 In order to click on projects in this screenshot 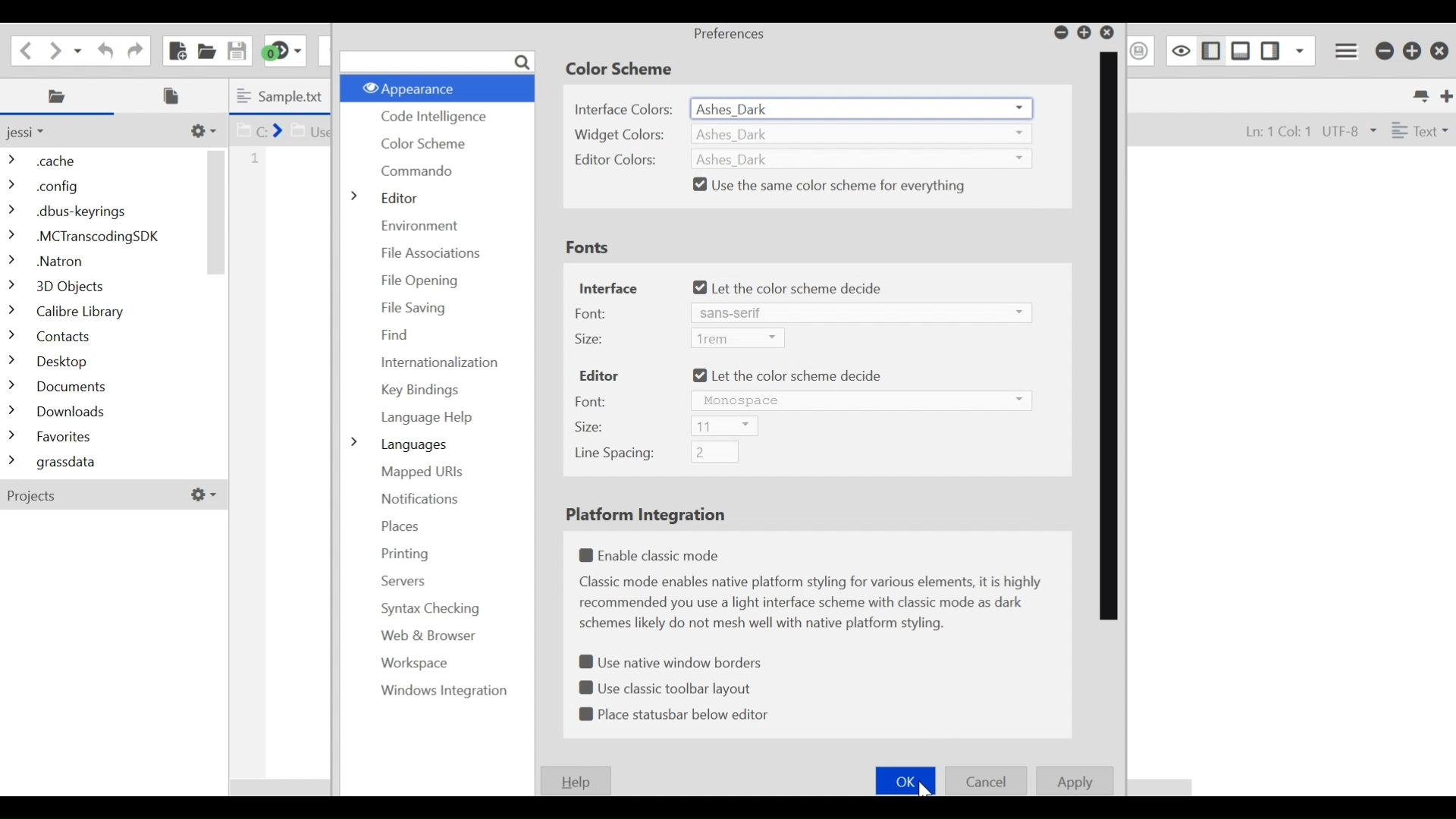, I will do `click(108, 497)`.